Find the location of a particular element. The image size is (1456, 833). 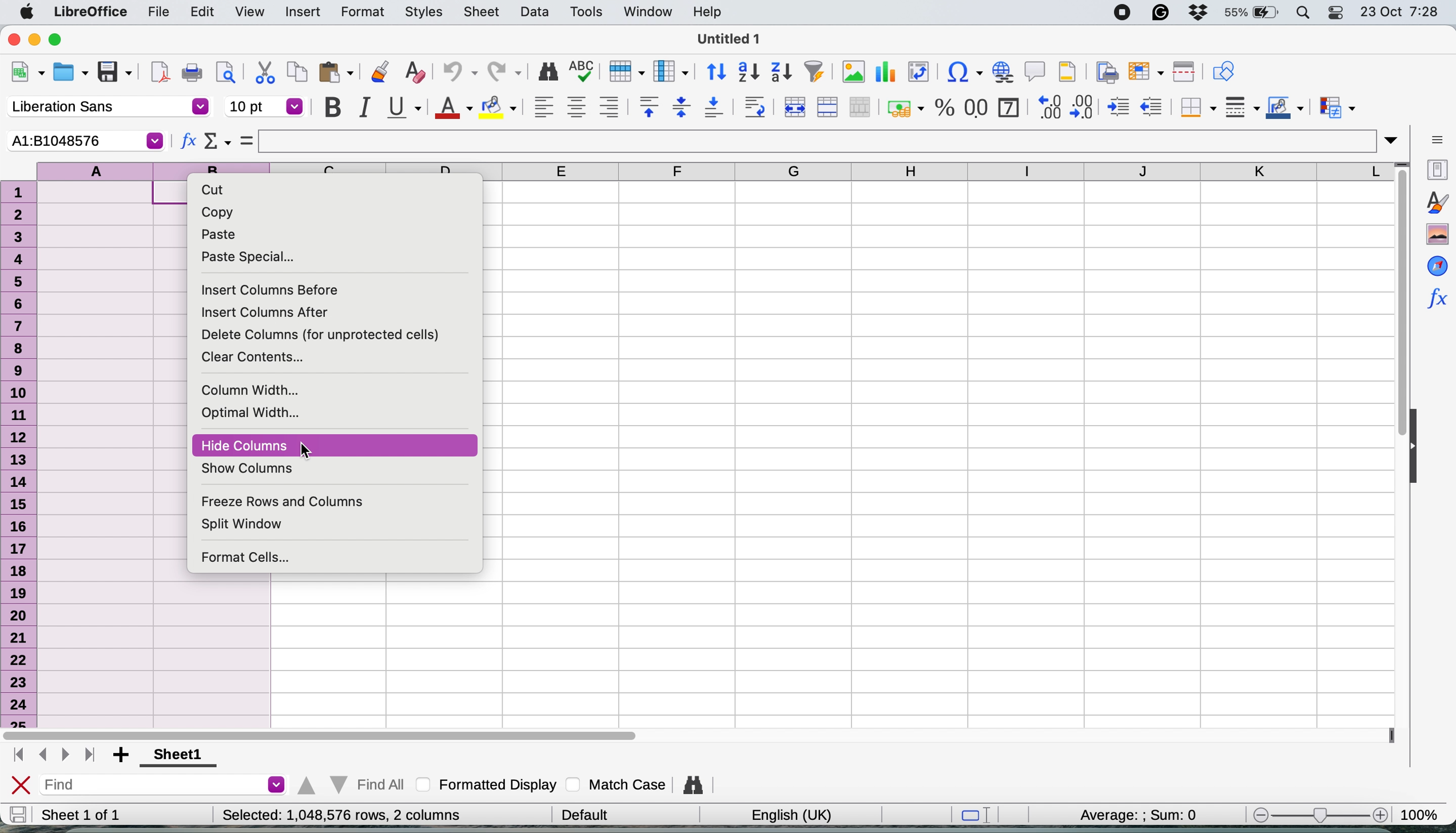

toggle print preview is located at coordinates (228, 73).